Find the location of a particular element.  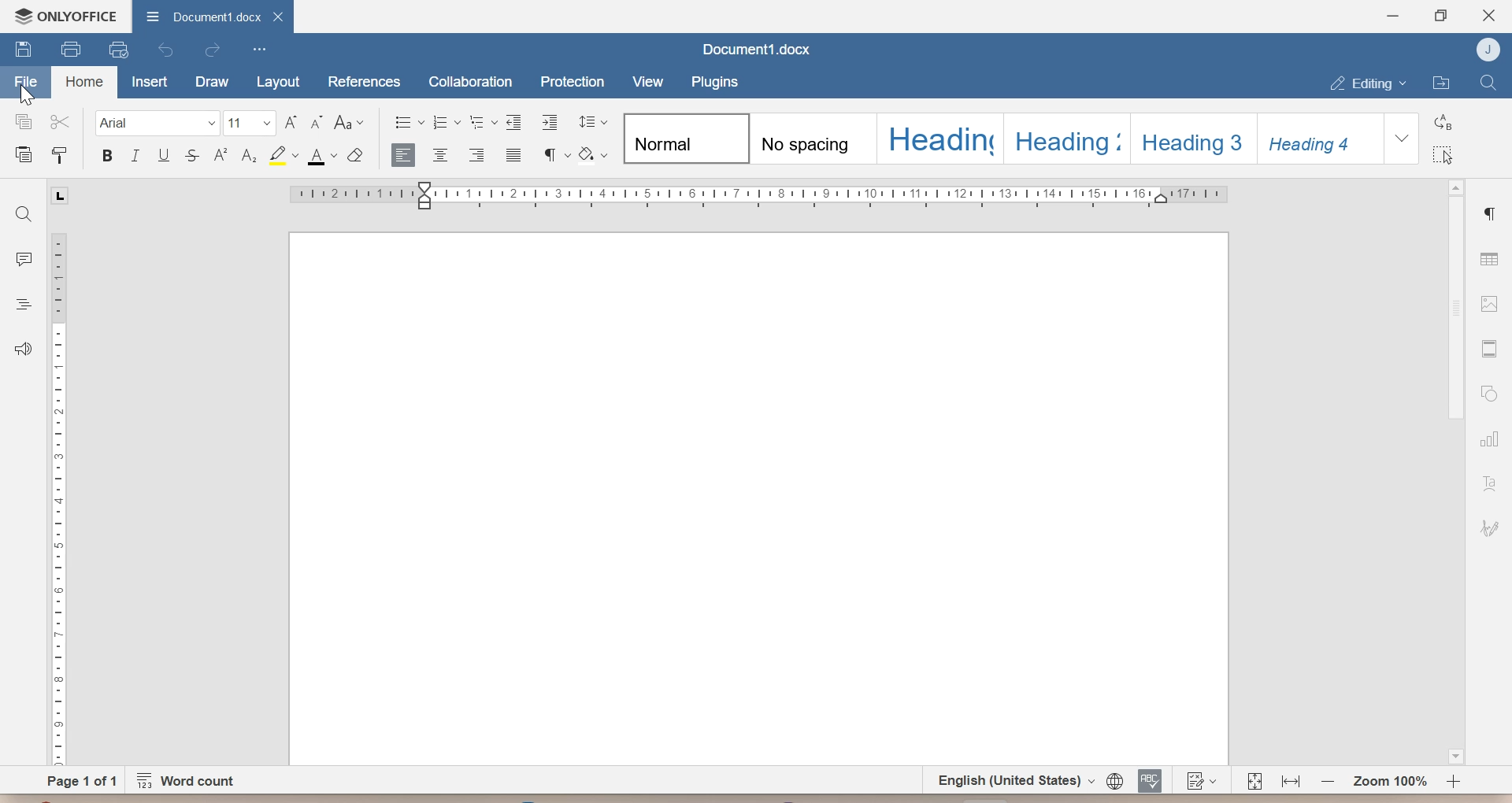

Paragraph line spacing is located at coordinates (591, 122).